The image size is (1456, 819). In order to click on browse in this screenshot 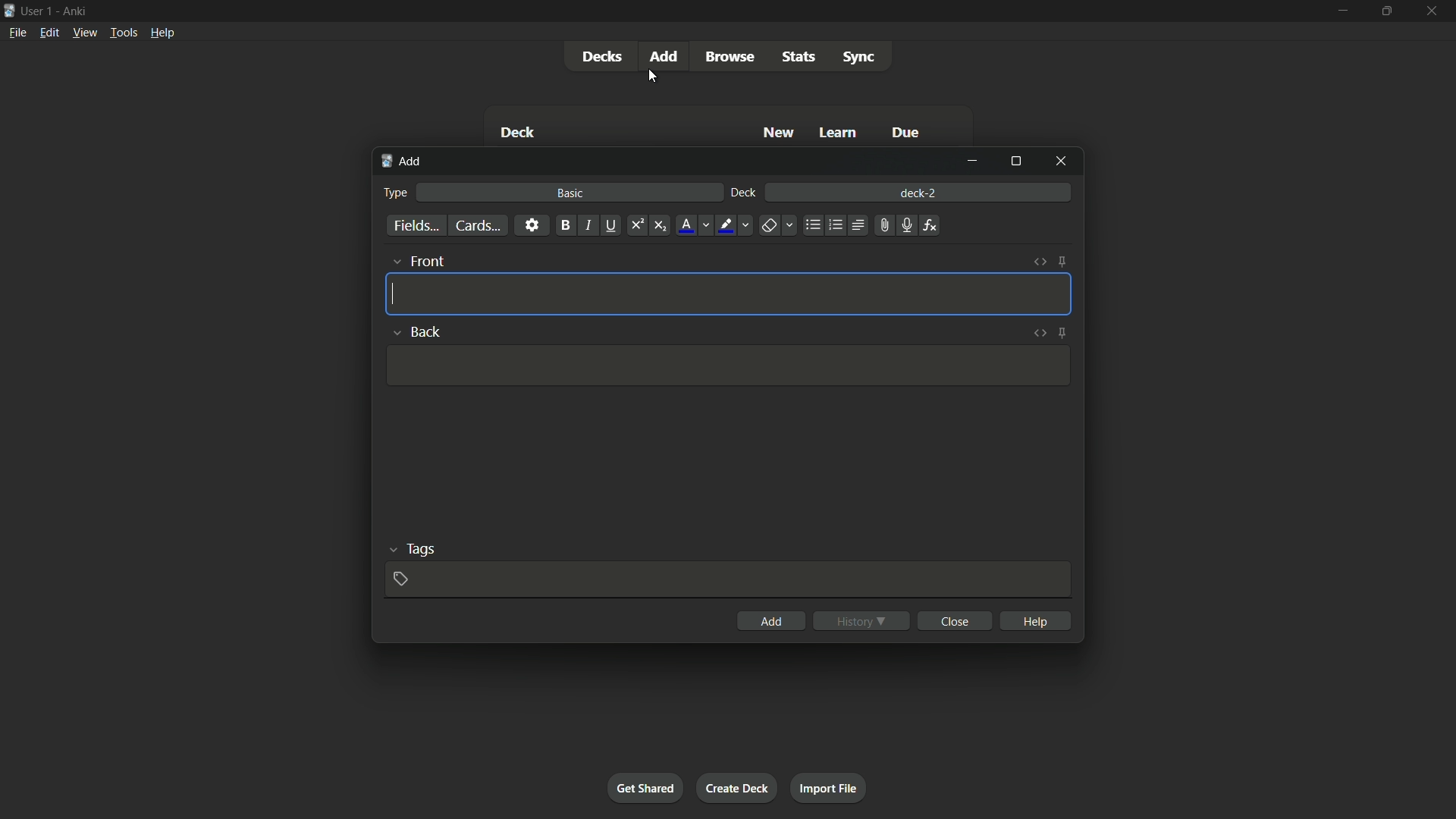, I will do `click(731, 57)`.